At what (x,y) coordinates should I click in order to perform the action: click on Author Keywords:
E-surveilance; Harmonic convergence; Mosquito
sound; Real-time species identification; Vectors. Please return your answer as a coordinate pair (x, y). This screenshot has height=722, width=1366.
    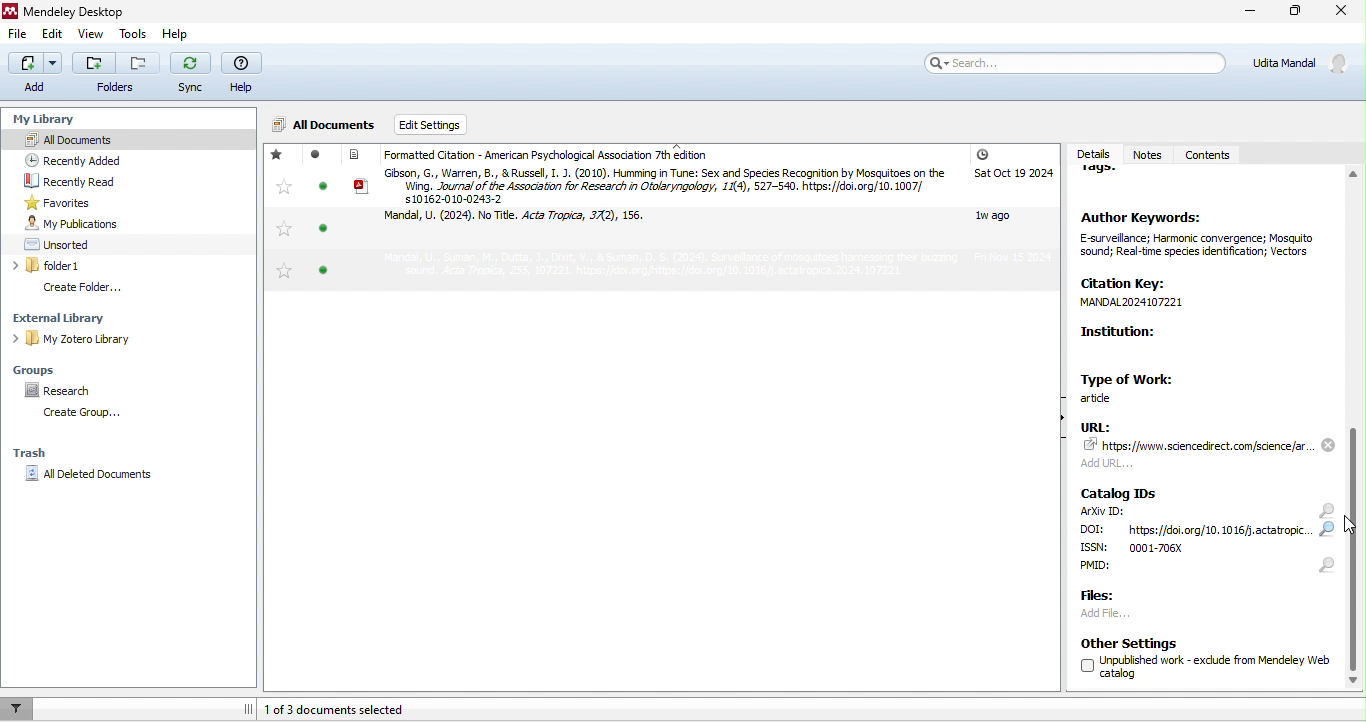
    Looking at the image, I should click on (1202, 242).